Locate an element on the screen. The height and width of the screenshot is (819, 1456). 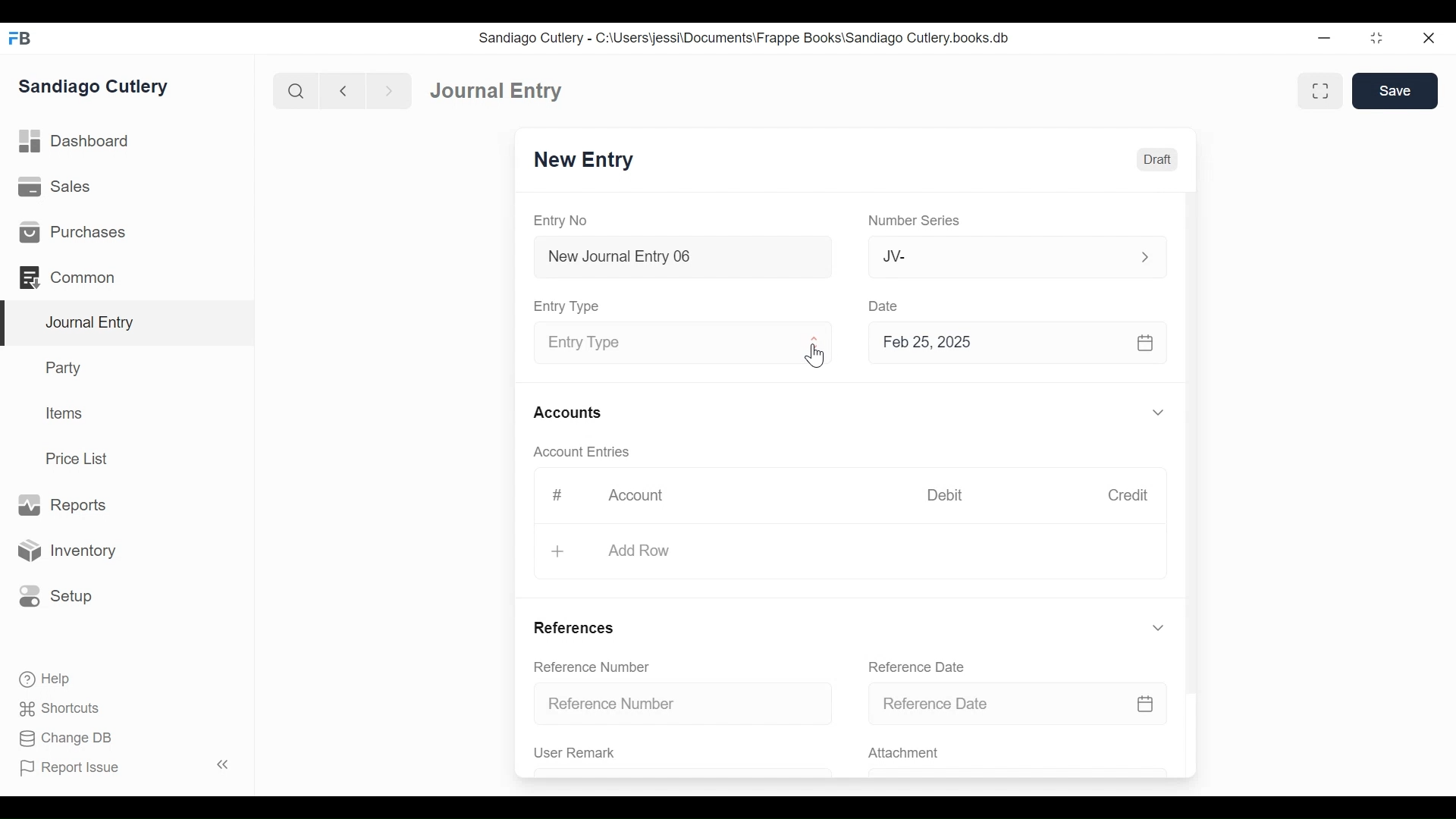
Report Issue is located at coordinates (127, 767).